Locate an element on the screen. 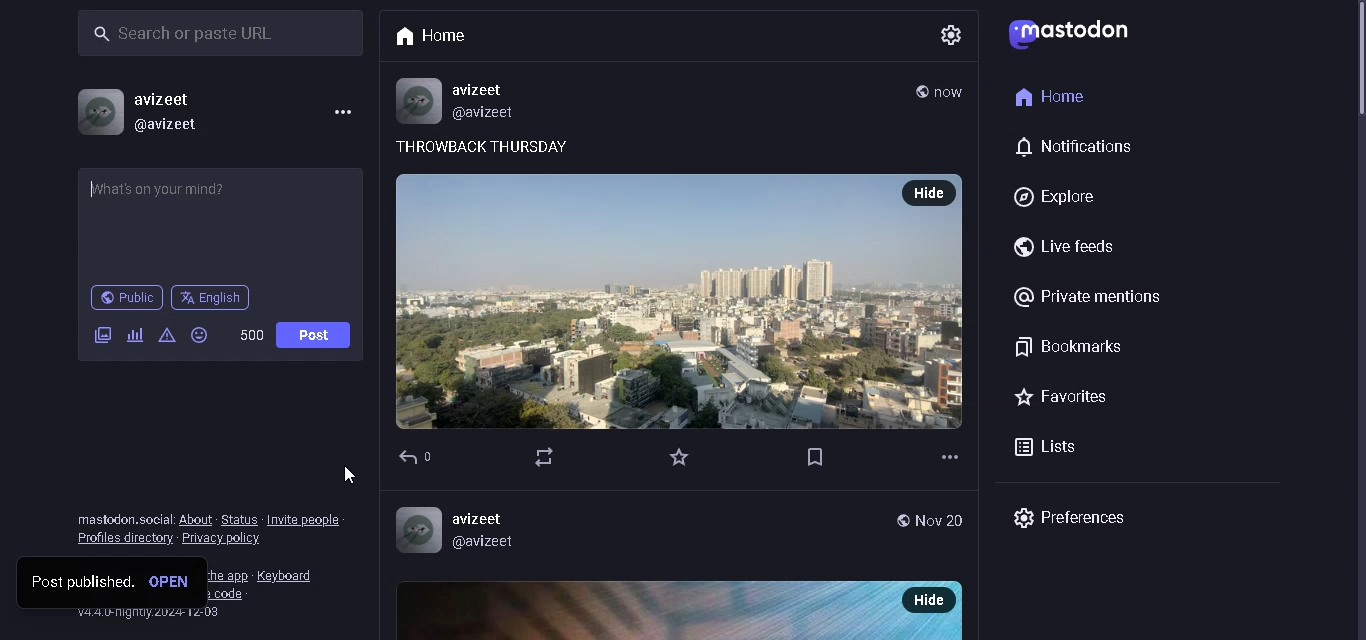 The image size is (1366, 640). post with photo is located at coordinates (684, 304).